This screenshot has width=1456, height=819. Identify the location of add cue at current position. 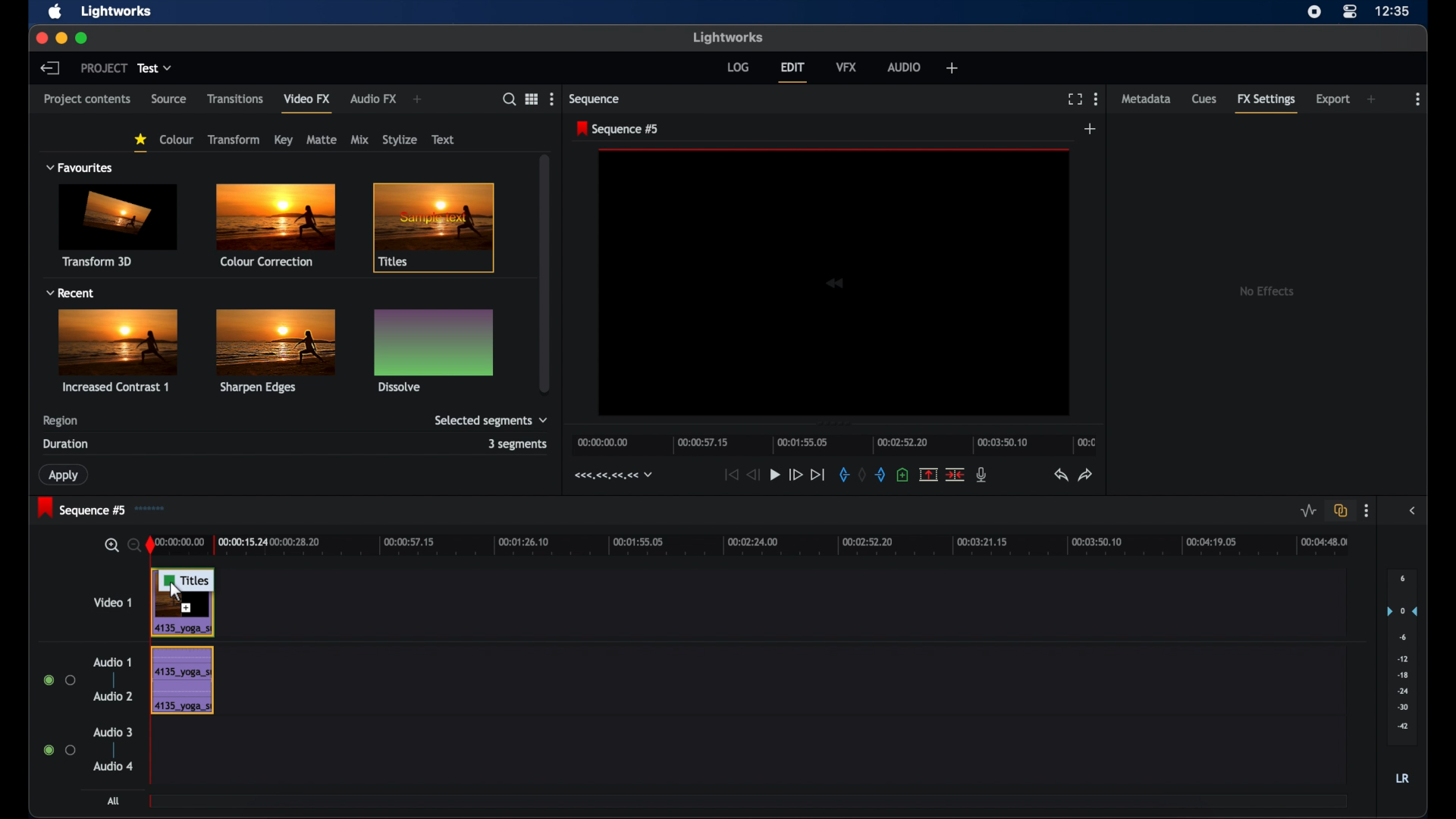
(904, 475).